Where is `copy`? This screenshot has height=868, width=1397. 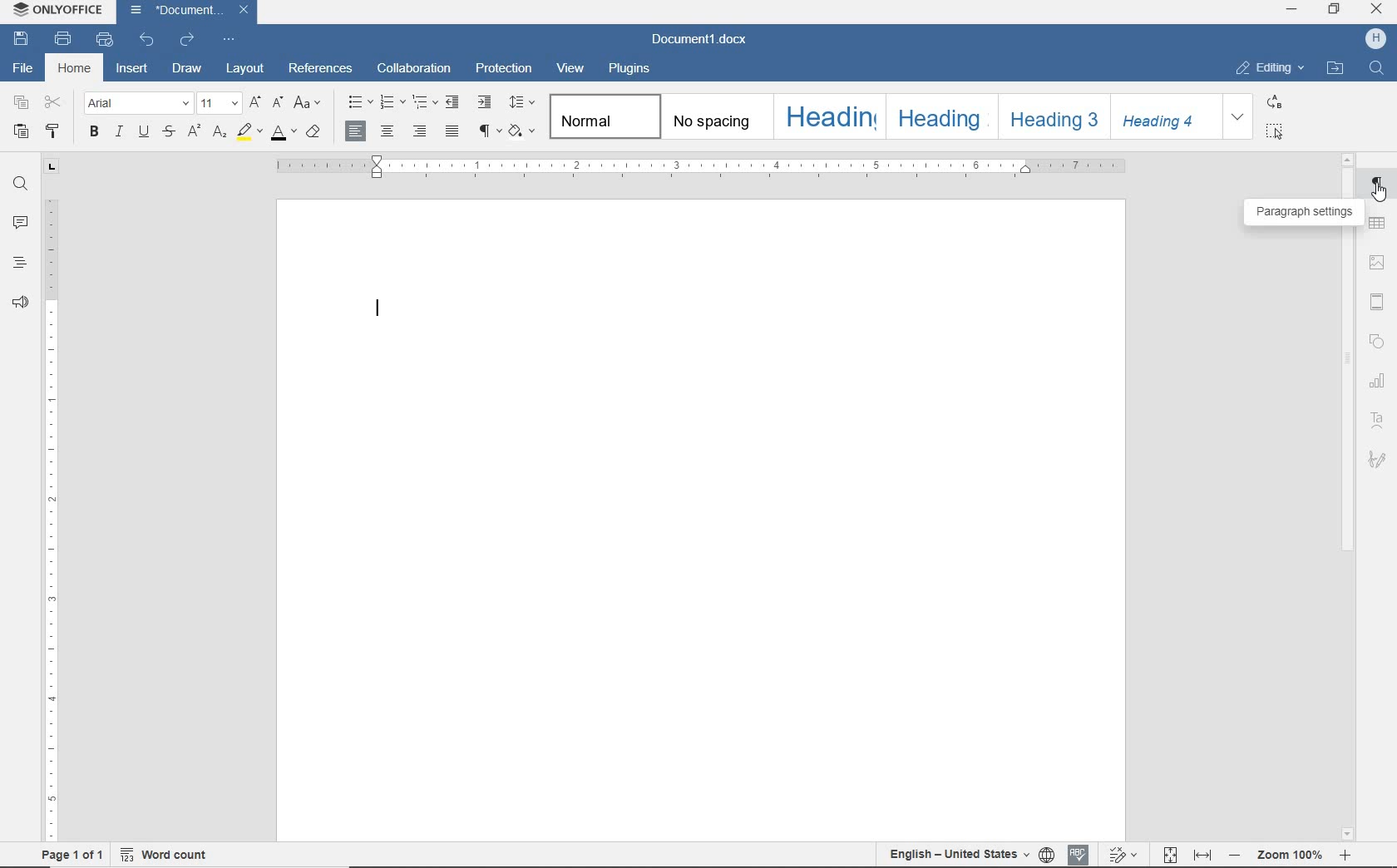
copy is located at coordinates (21, 105).